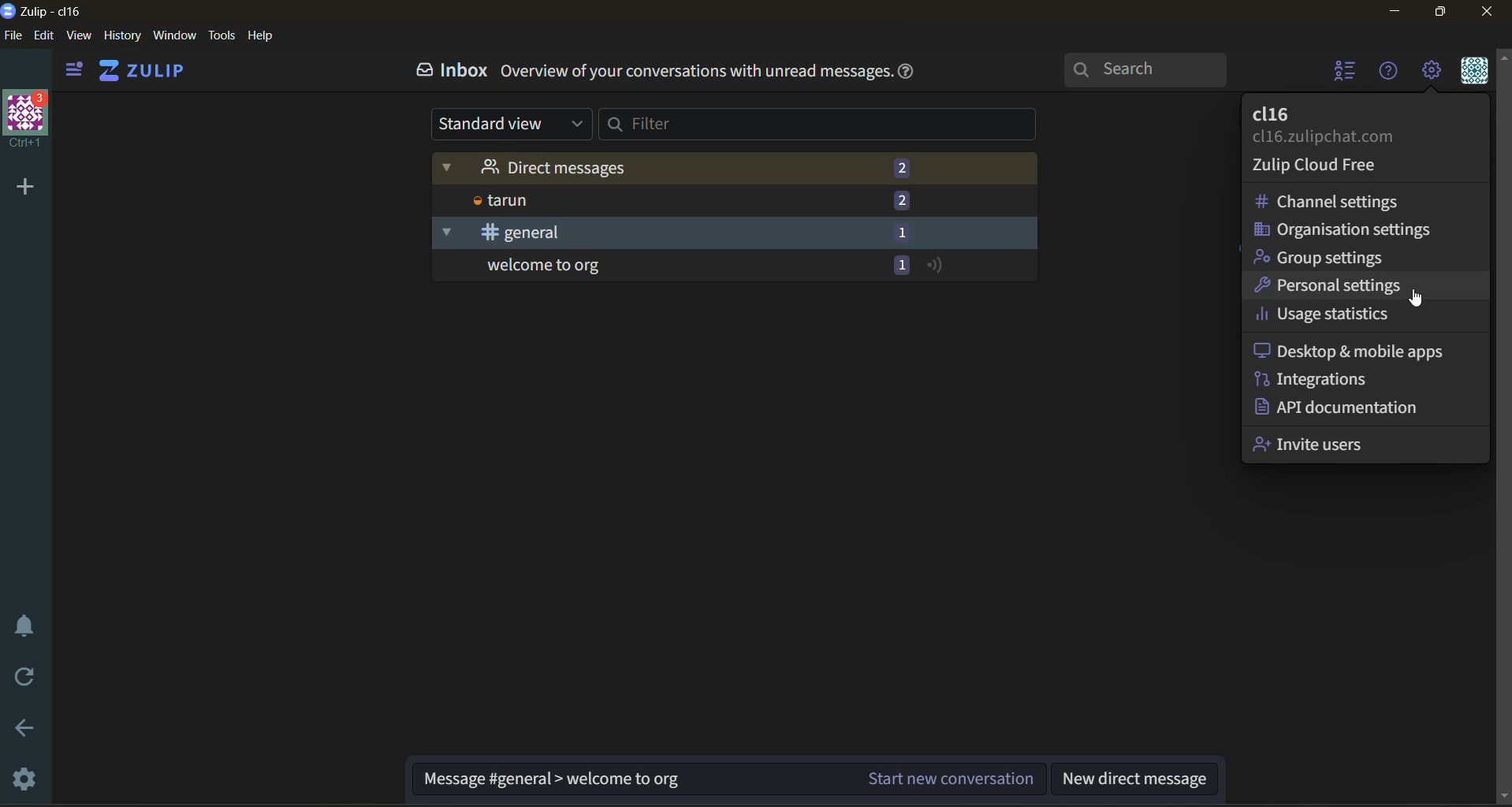  What do you see at coordinates (1365, 350) in the screenshot?
I see `desktop and mobile apps` at bounding box center [1365, 350].